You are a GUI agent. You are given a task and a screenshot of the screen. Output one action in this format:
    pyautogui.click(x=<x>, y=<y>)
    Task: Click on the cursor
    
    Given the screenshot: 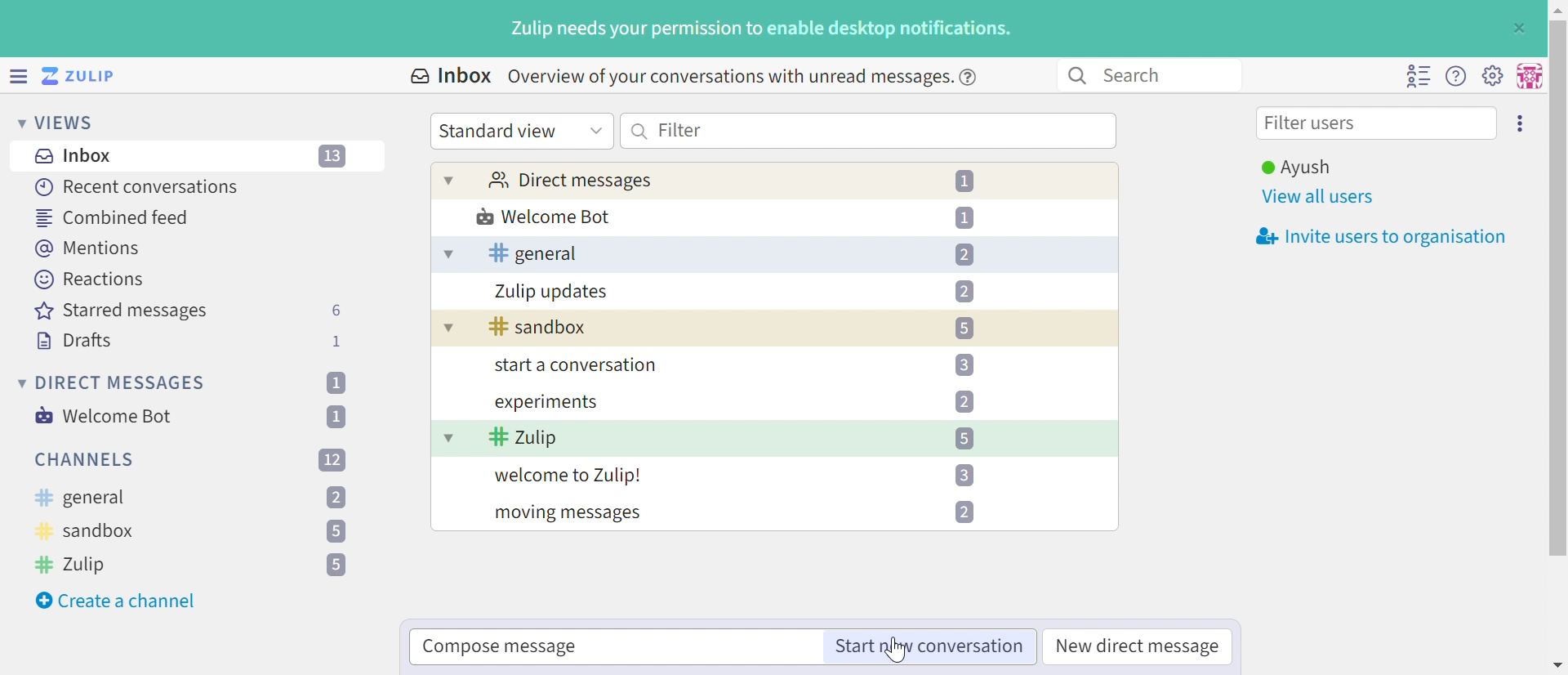 What is the action you would take?
    pyautogui.click(x=900, y=653)
    